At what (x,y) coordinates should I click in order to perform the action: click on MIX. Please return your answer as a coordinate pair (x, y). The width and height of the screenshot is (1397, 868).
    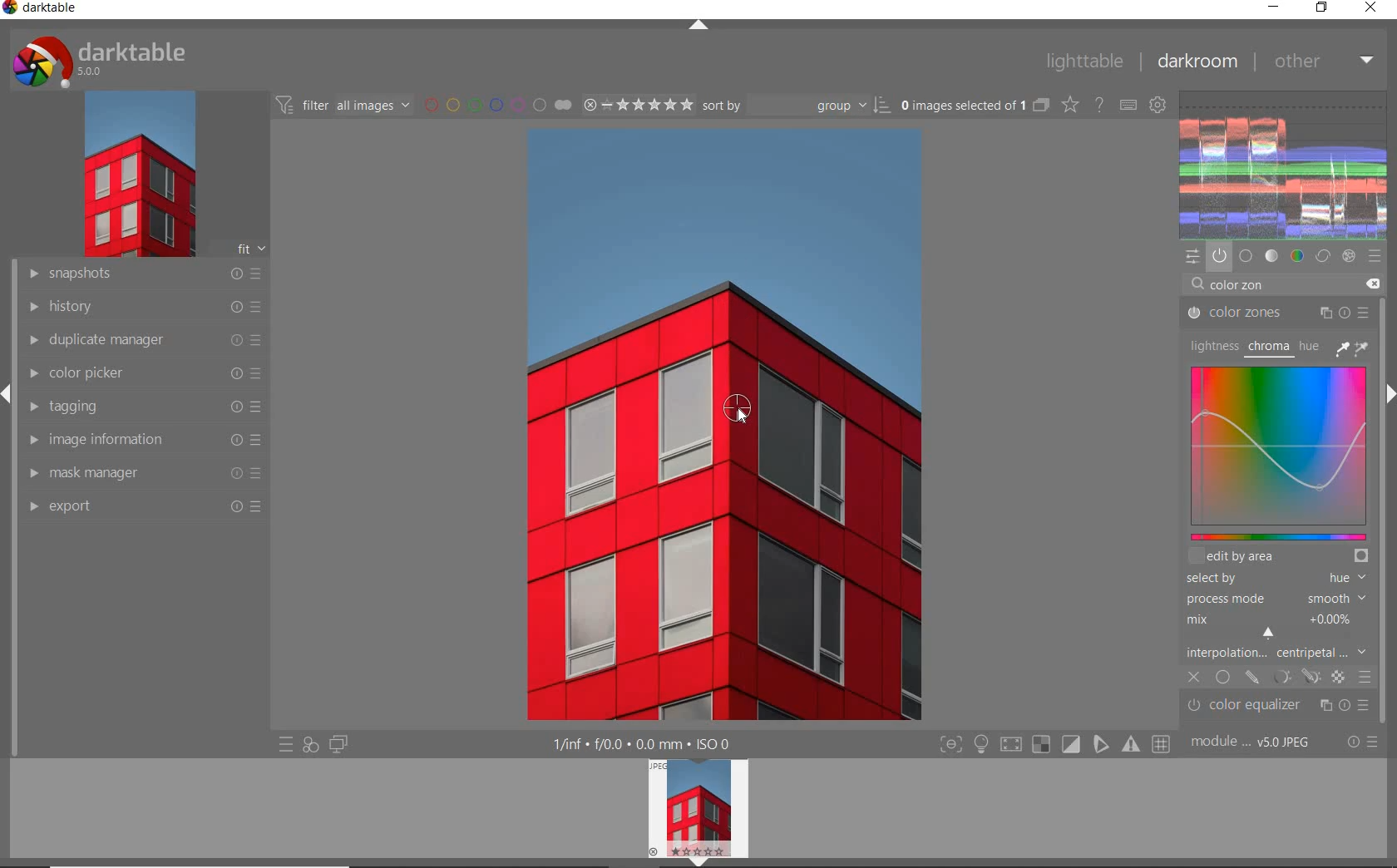
    Looking at the image, I should click on (1274, 623).